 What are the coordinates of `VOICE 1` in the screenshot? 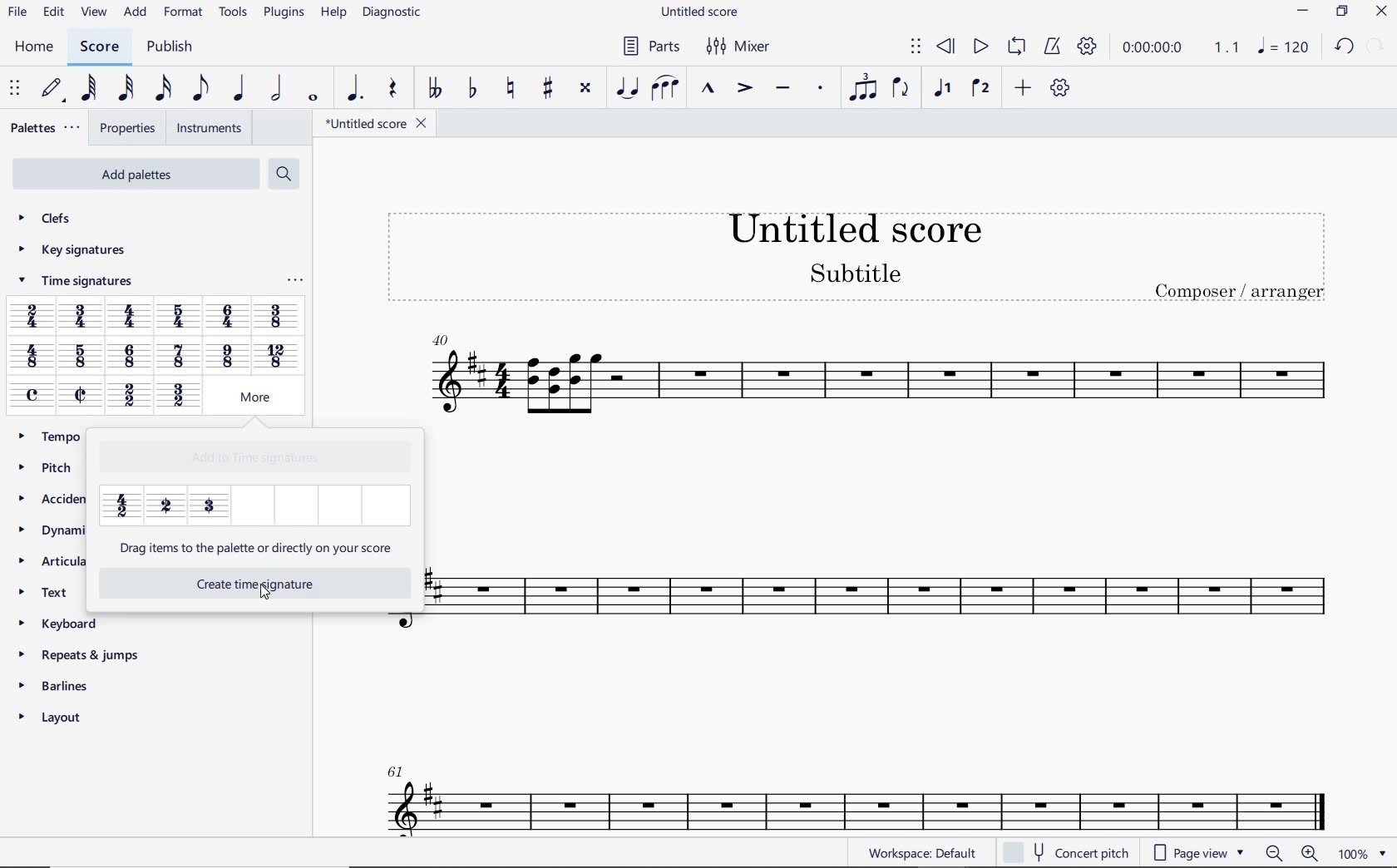 It's located at (945, 91).